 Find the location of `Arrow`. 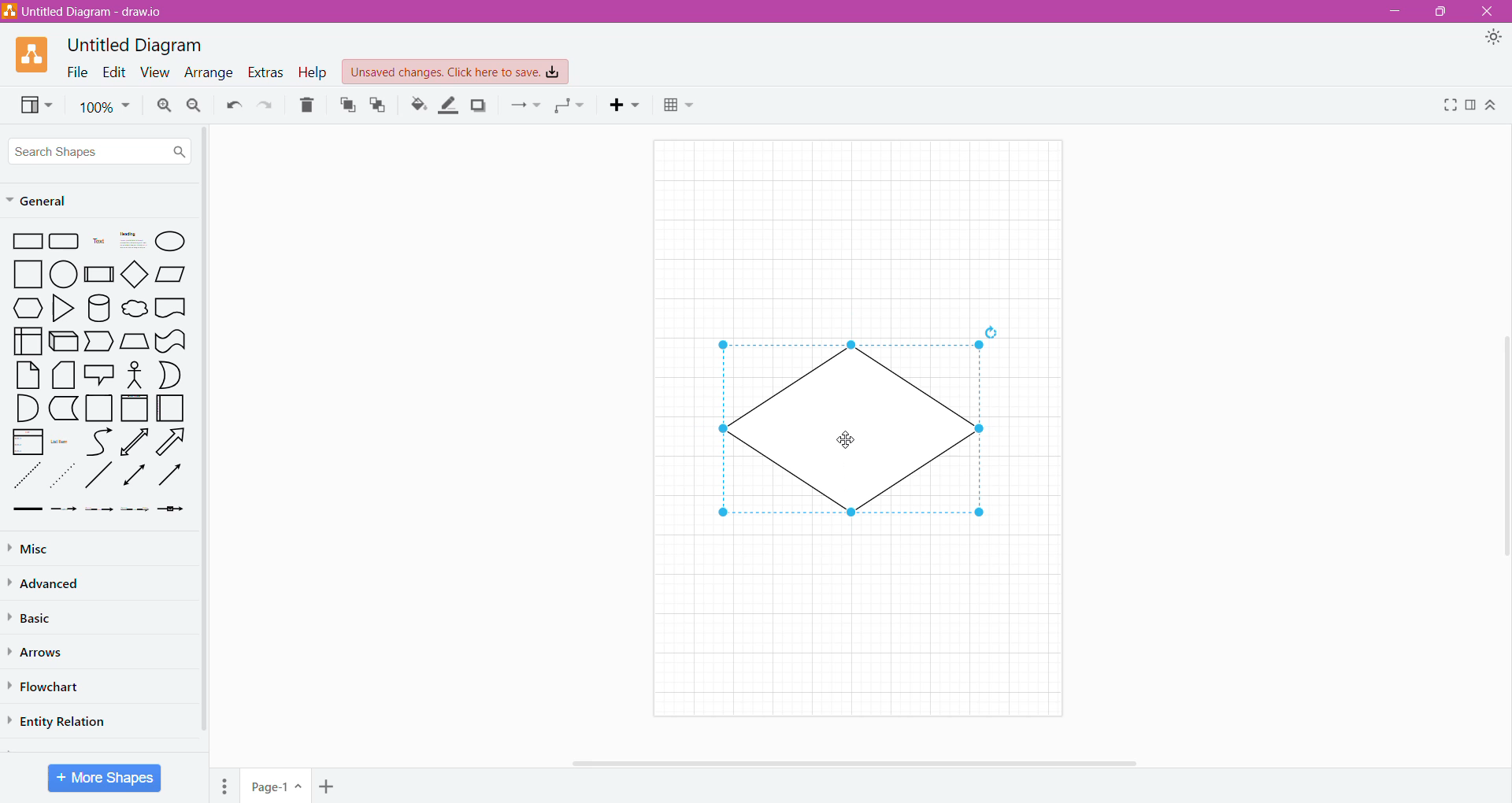

Arrow is located at coordinates (174, 444).